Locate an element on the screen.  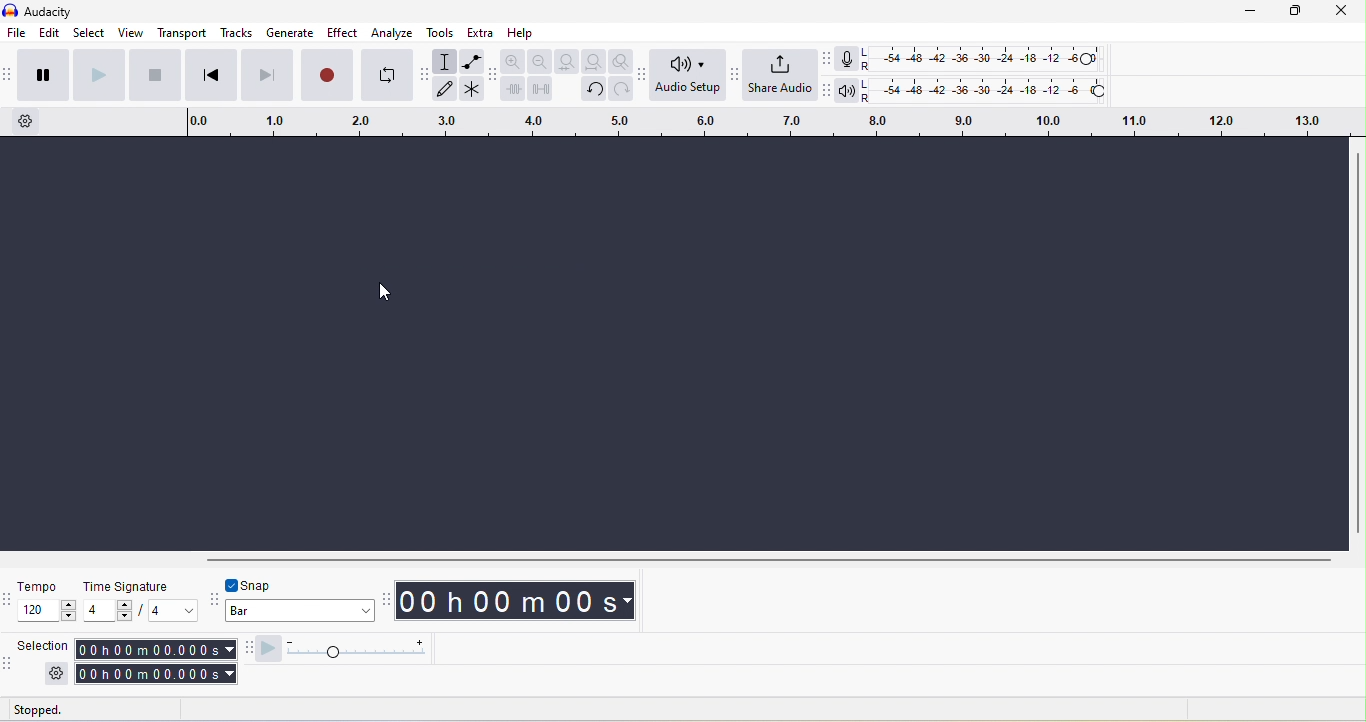
playback meter toolbar is located at coordinates (826, 91).